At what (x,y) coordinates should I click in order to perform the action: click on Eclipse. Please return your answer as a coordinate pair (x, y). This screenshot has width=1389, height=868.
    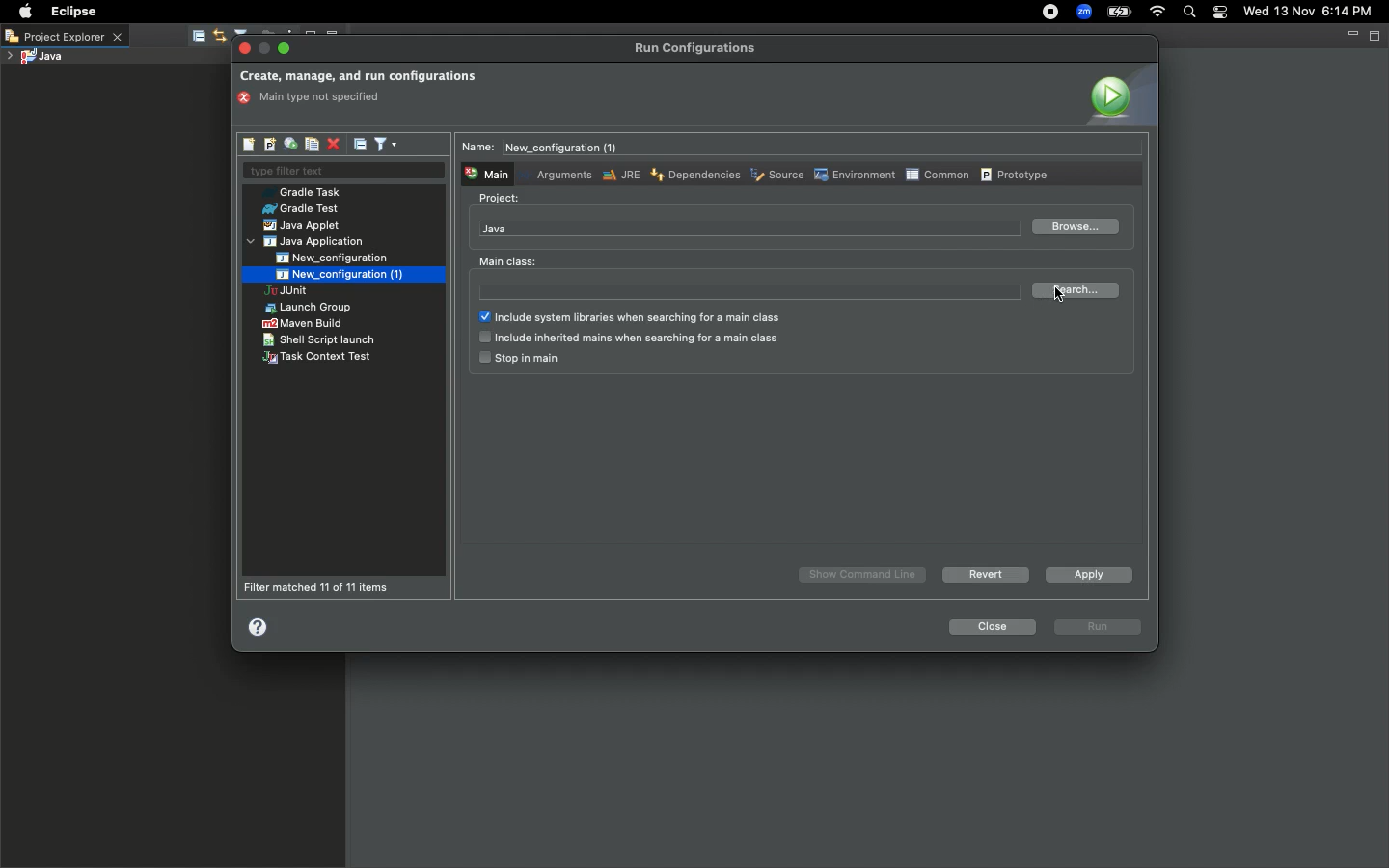
    Looking at the image, I should click on (71, 12).